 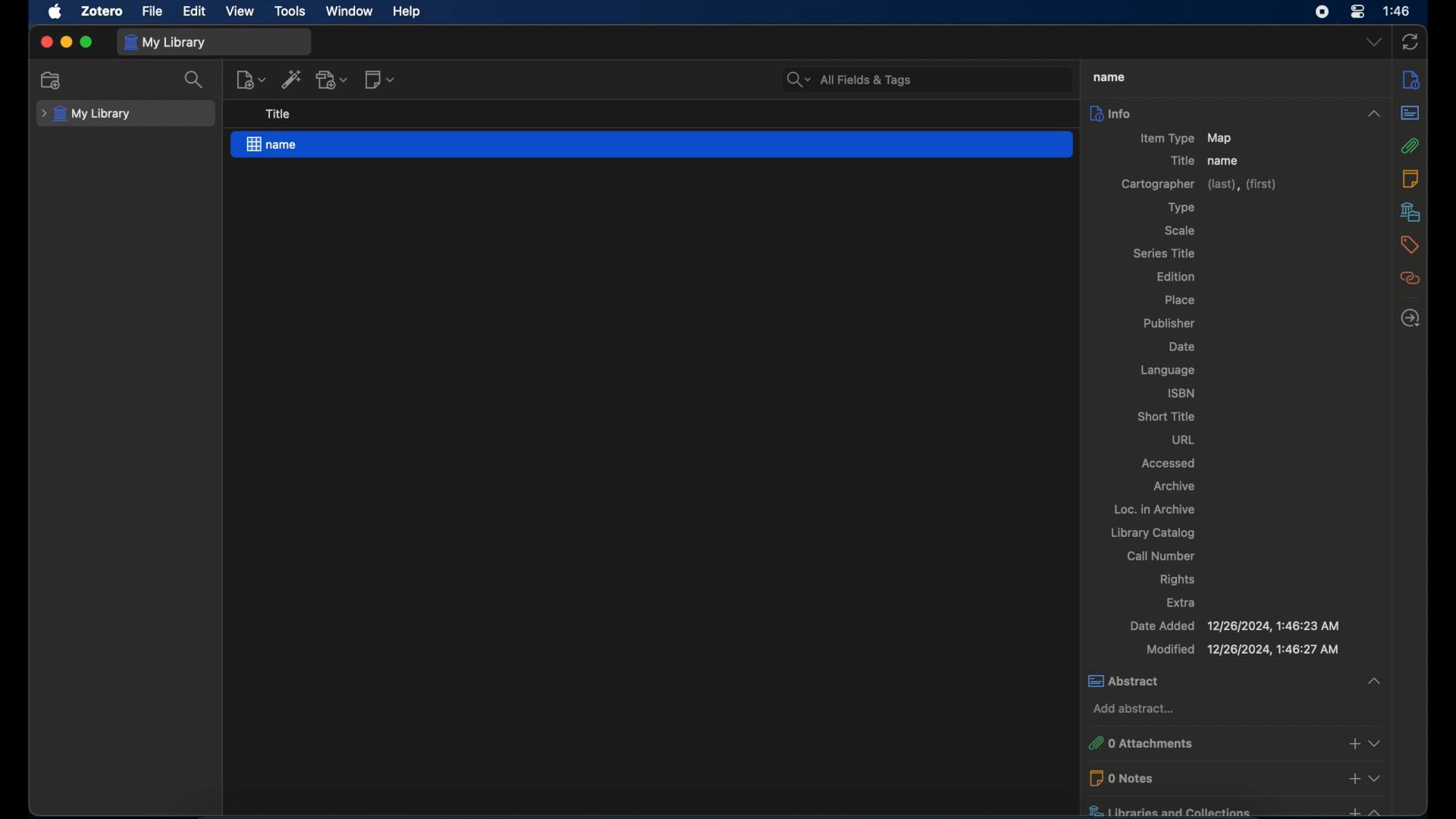 What do you see at coordinates (1185, 603) in the screenshot?
I see `extra` at bounding box center [1185, 603].